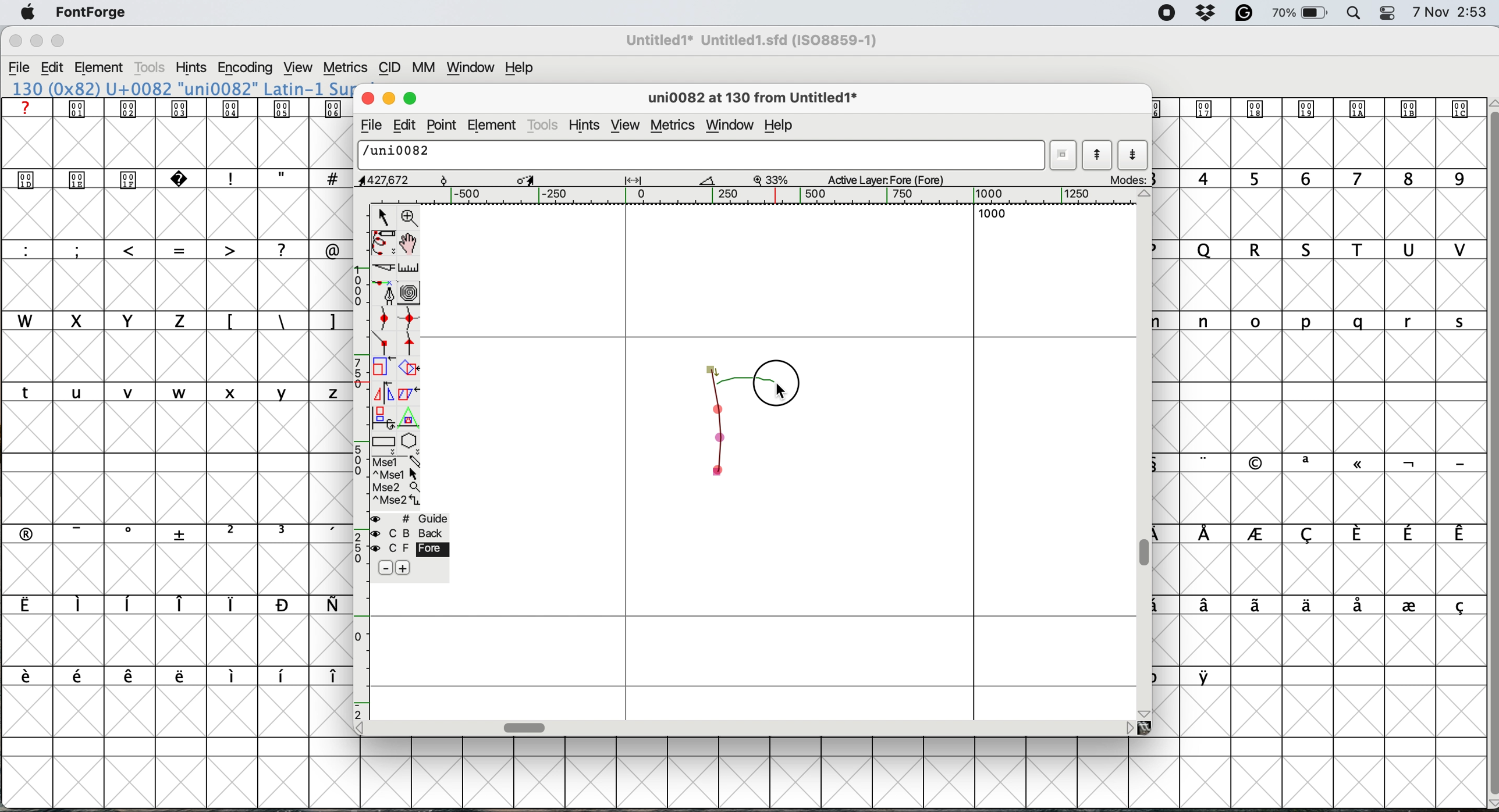 The image size is (1499, 812). Describe the element at coordinates (386, 320) in the screenshot. I see `add a curve point` at that location.